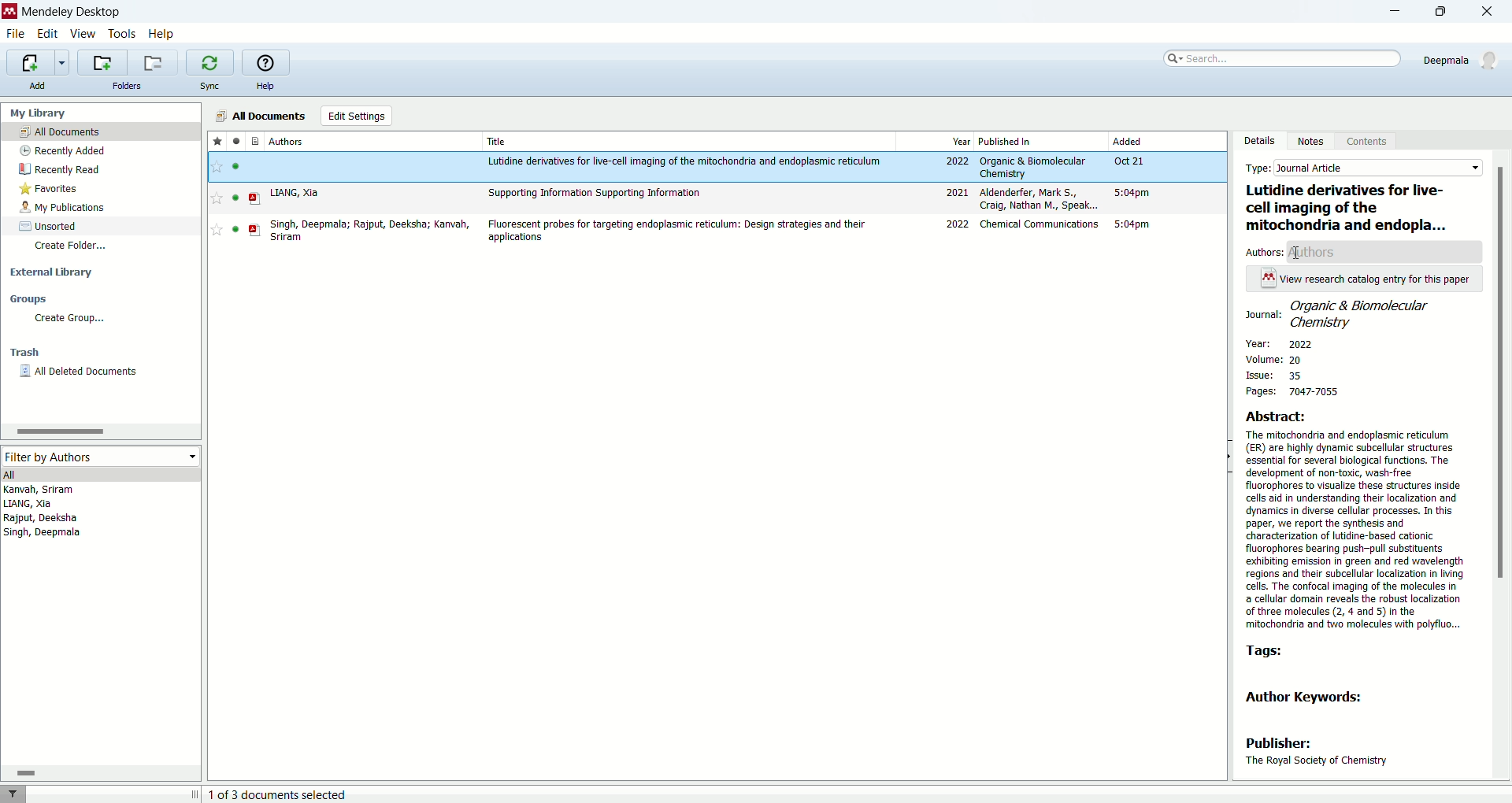 The image size is (1512, 803). I want to click on recently added, so click(61, 152).